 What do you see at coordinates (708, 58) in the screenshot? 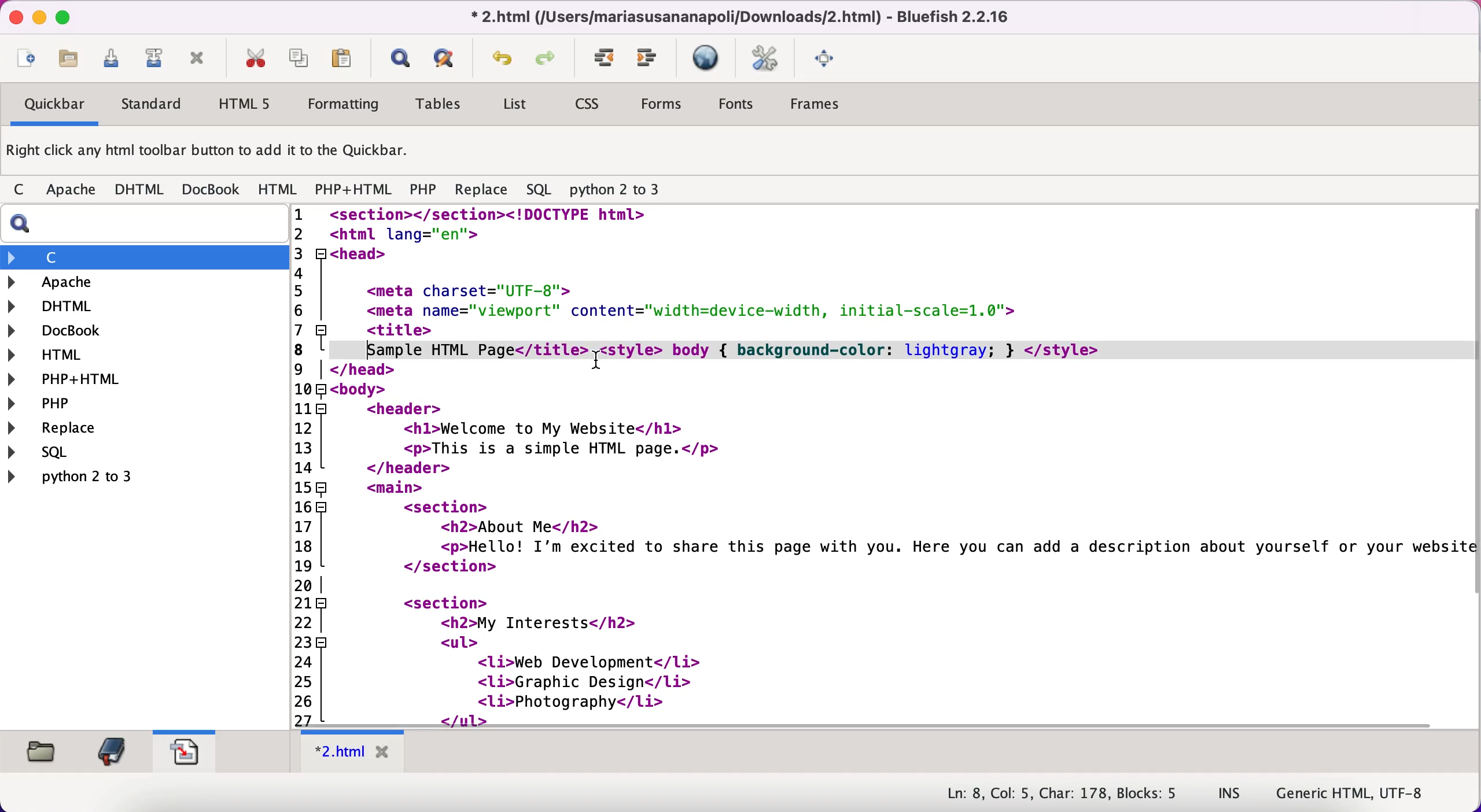
I see `preview in browser` at bounding box center [708, 58].